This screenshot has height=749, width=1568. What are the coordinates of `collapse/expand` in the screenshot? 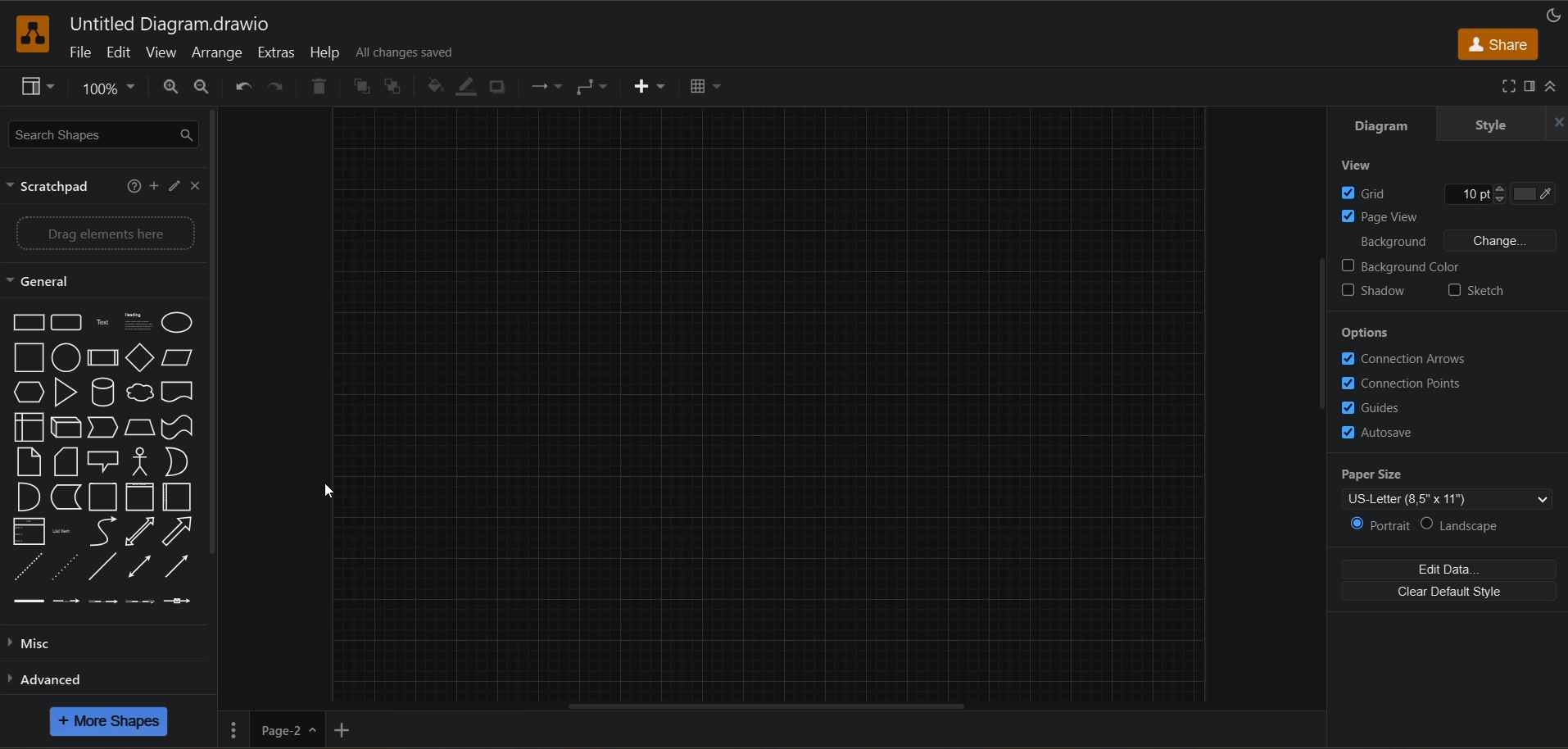 It's located at (1552, 84).